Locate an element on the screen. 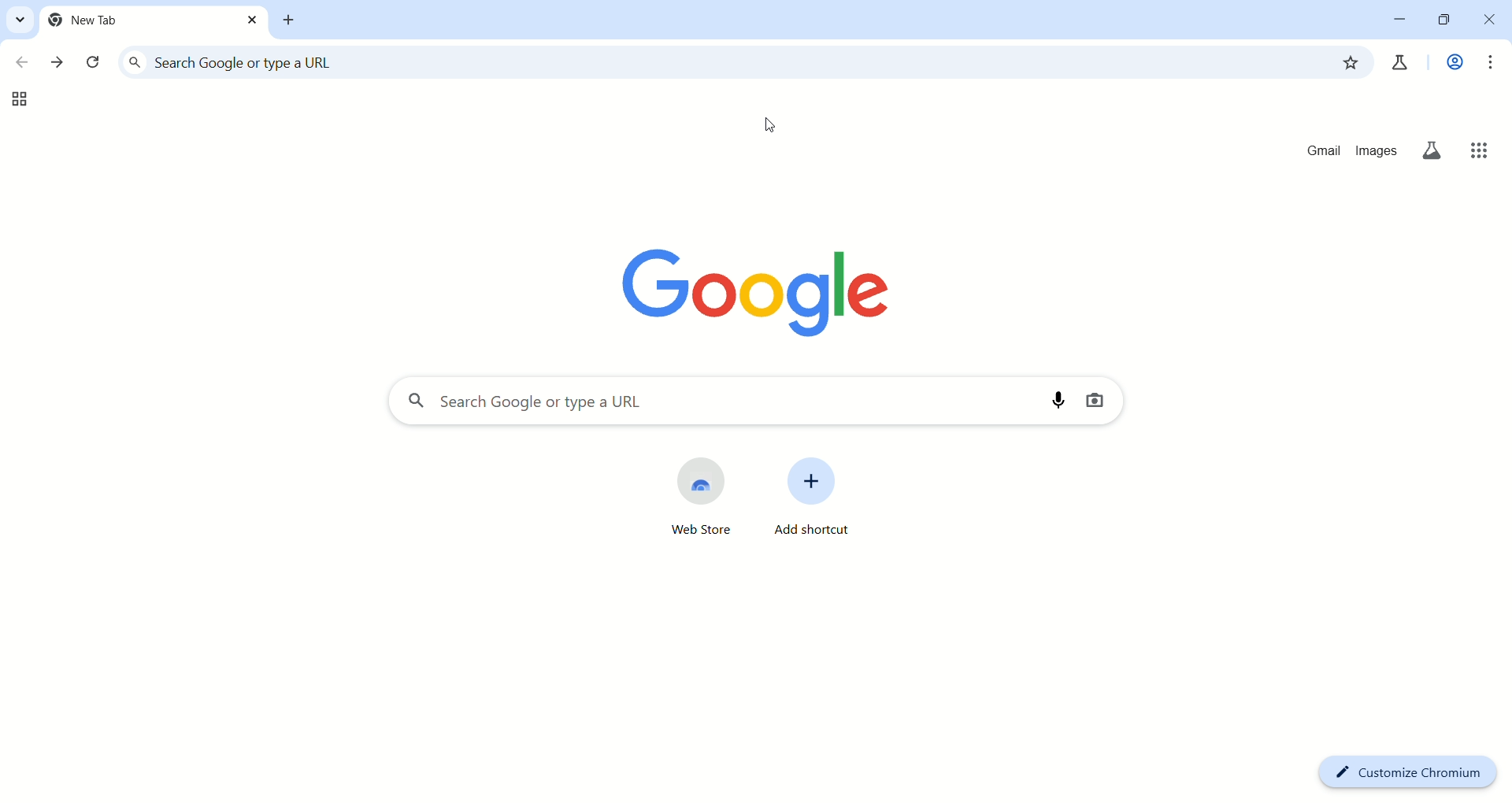 The image size is (1512, 803). minimize is located at coordinates (1400, 18).